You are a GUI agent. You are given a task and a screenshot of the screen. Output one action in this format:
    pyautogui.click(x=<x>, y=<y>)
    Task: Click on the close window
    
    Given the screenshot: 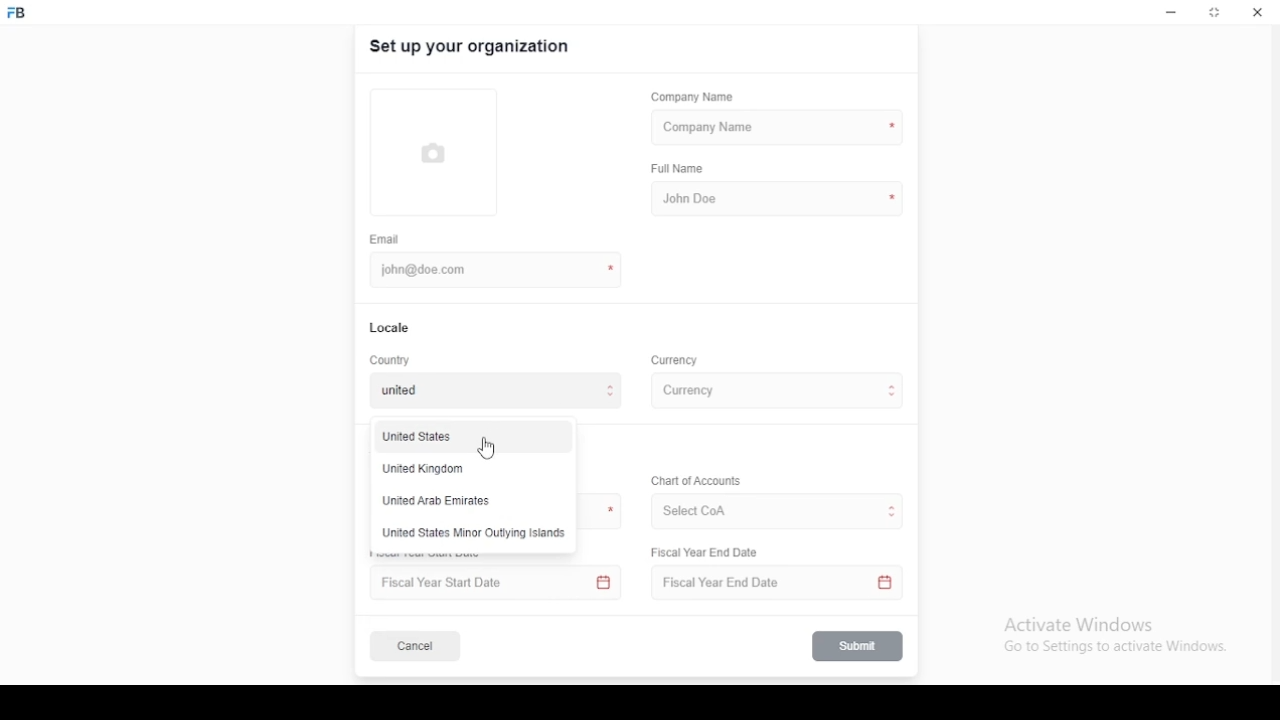 What is the action you would take?
    pyautogui.click(x=1255, y=12)
    